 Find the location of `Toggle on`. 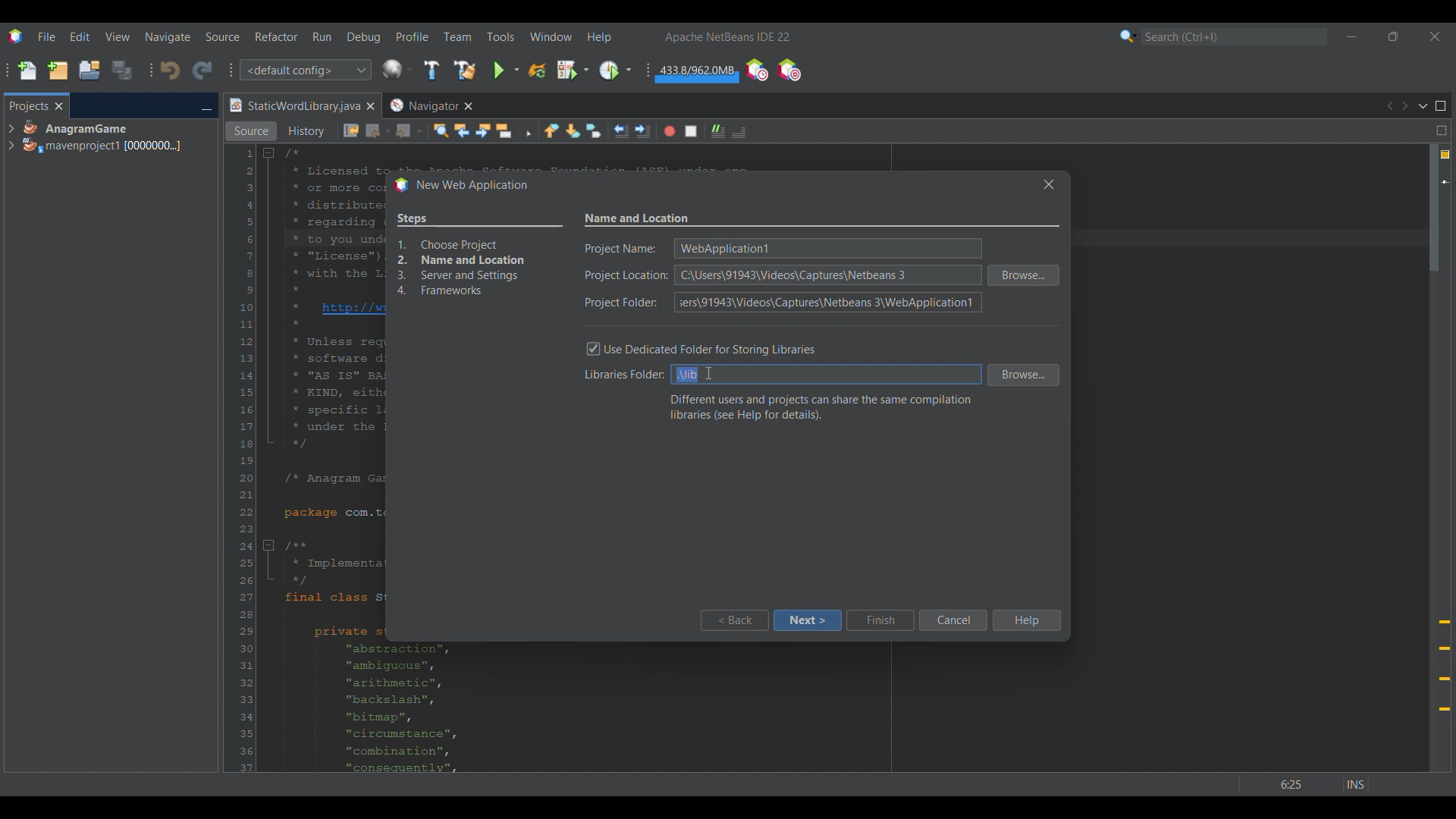

Toggle on is located at coordinates (594, 350).